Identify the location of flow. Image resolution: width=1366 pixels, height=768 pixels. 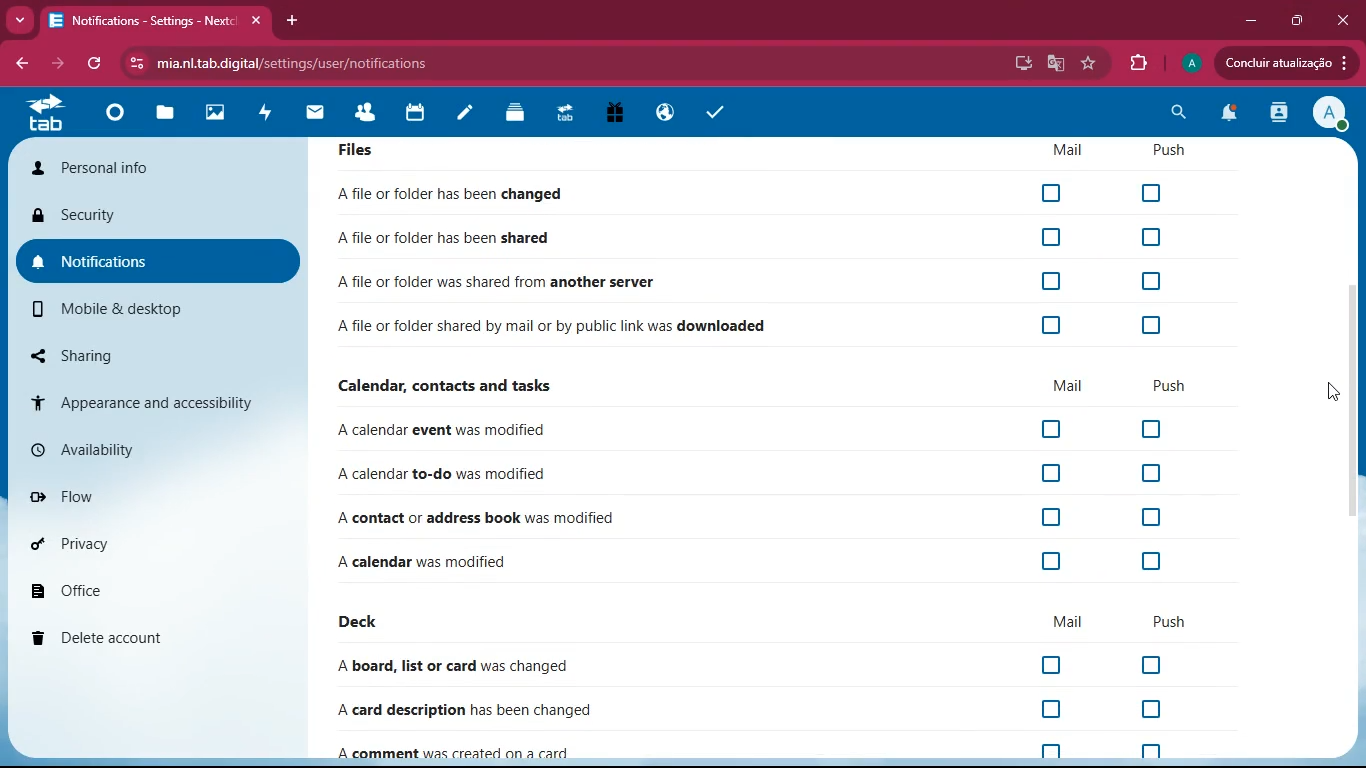
(142, 496).